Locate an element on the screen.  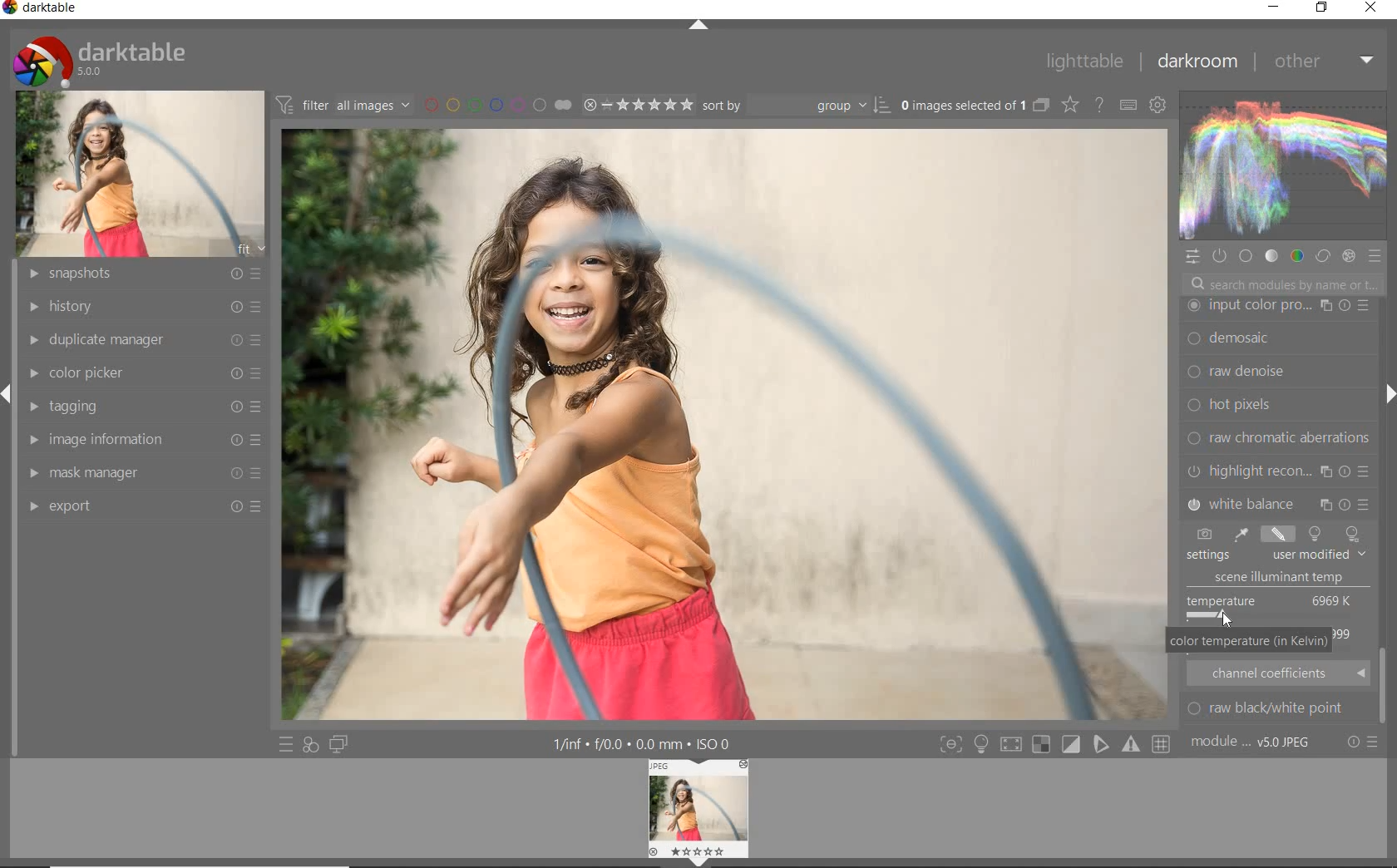
history is located at coordinates (139, 305).